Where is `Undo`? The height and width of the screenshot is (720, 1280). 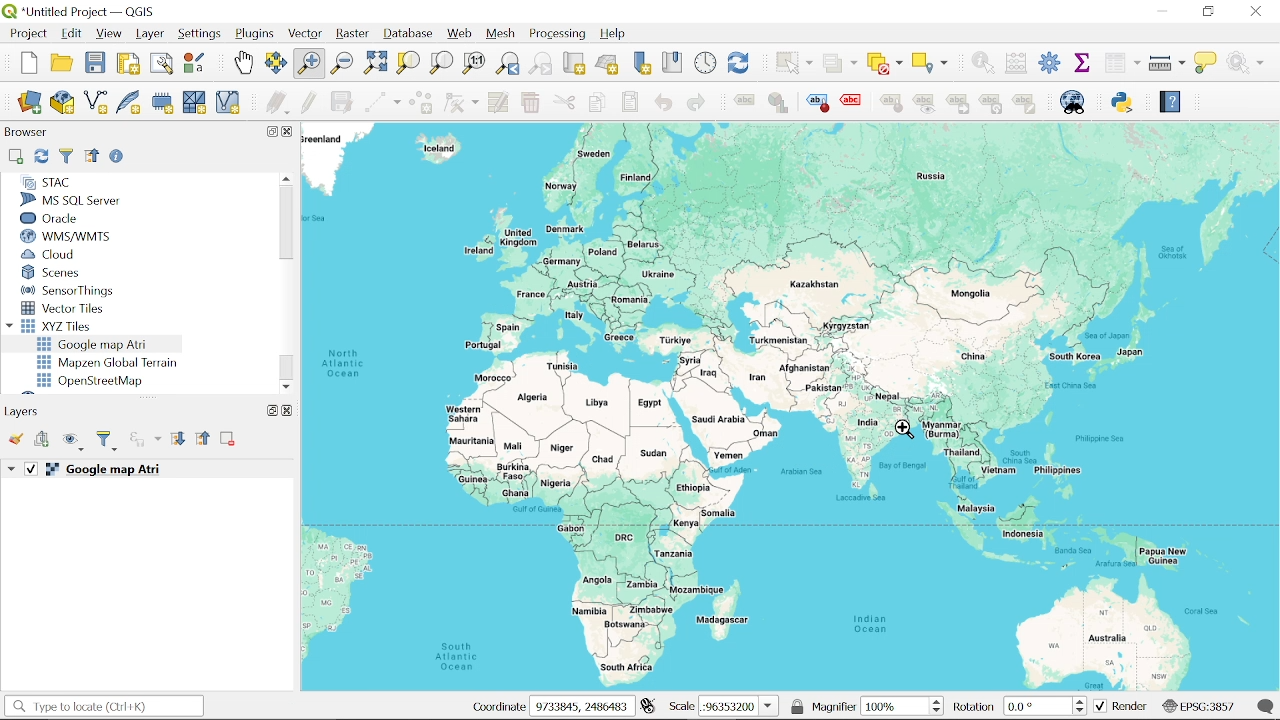 Undo is located at coordinates (663, 103).